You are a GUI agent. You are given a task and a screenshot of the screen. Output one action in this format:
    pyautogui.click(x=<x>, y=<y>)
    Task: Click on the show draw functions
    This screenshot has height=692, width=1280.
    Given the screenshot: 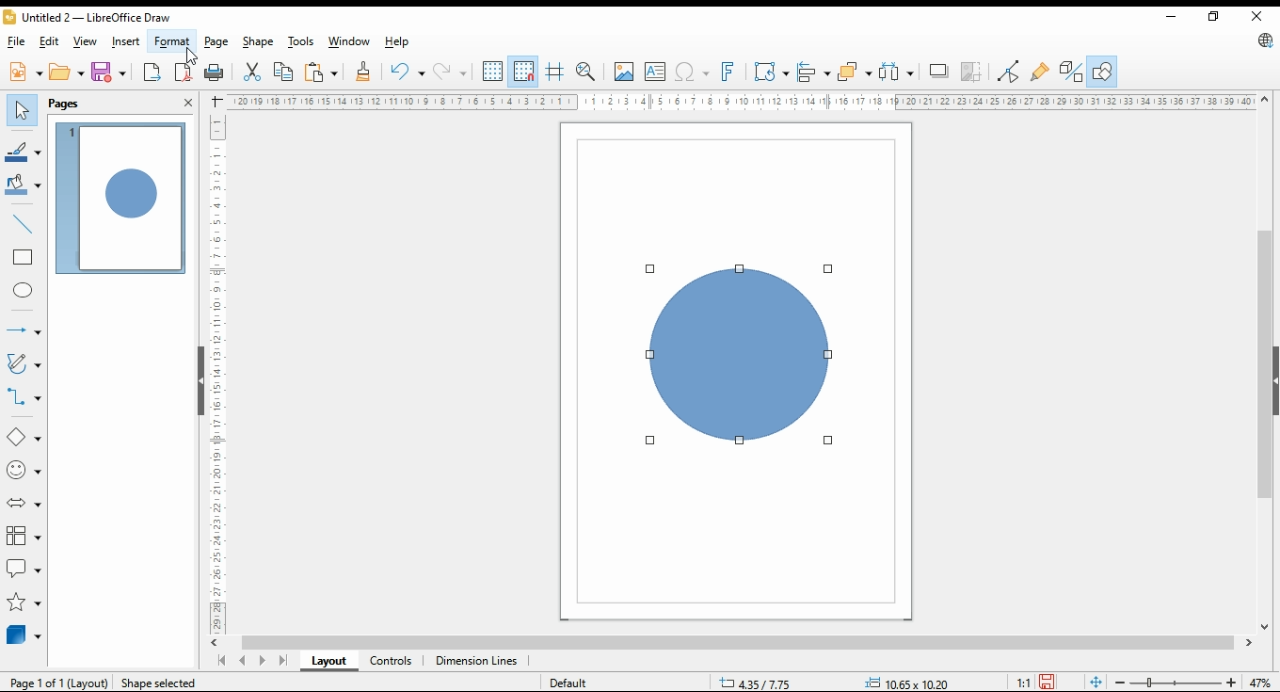 What is the action you would take?
    pyautogui.click(x=1102, y=72)
    